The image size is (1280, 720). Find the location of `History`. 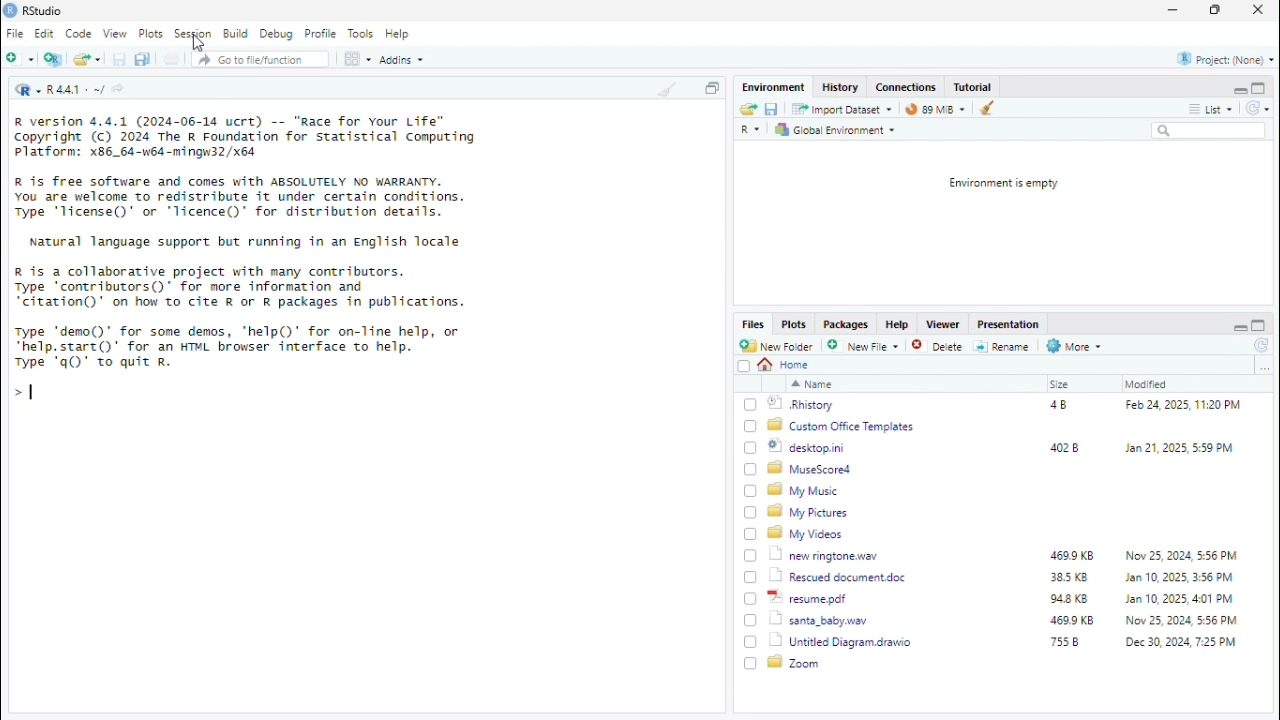

History is located at coordinates (841, 87).